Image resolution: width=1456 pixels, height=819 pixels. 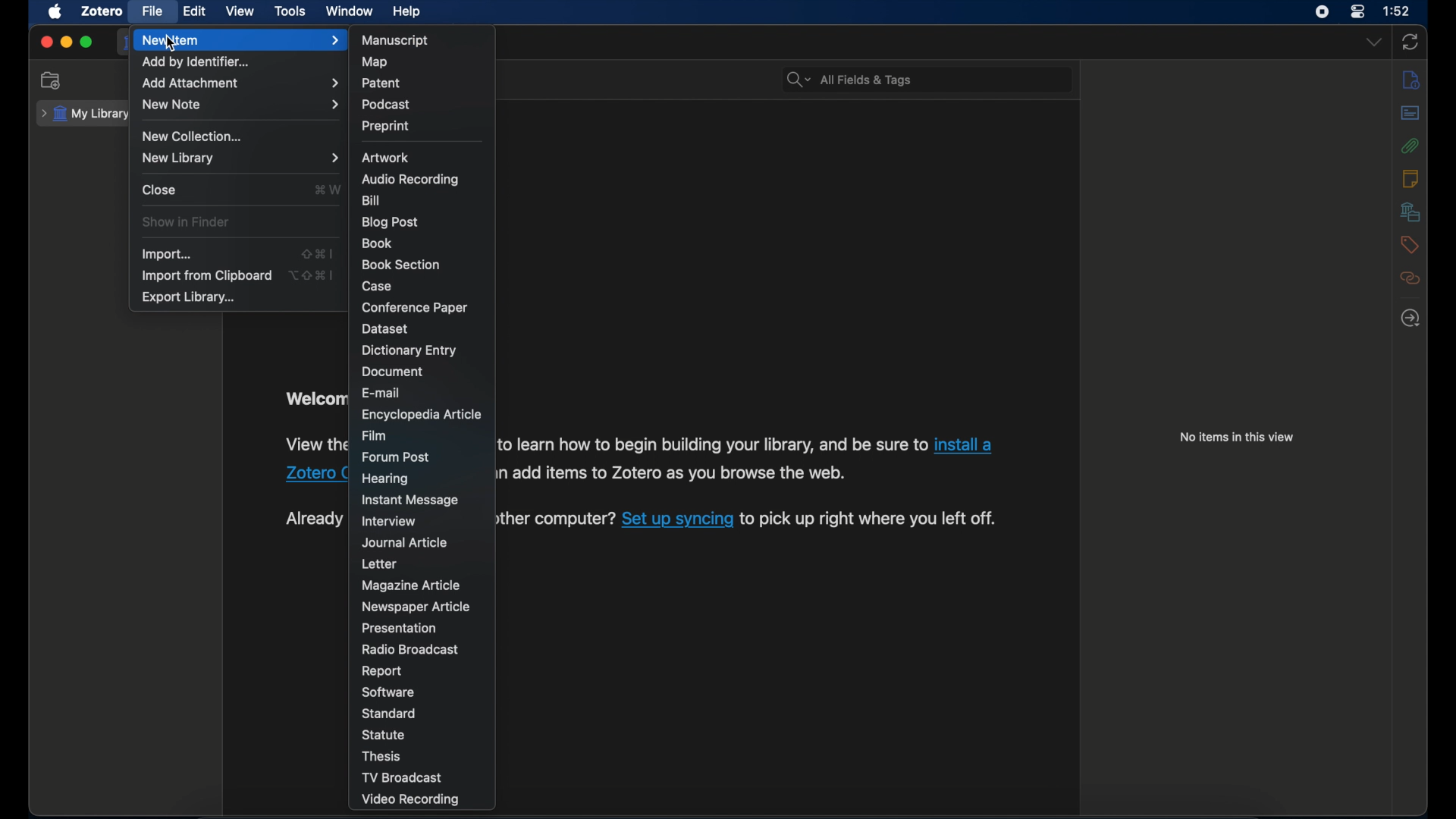 What do you see at coordinates (377, 286) in the screenshot?
I see `case` at bounding box center [377, 286].